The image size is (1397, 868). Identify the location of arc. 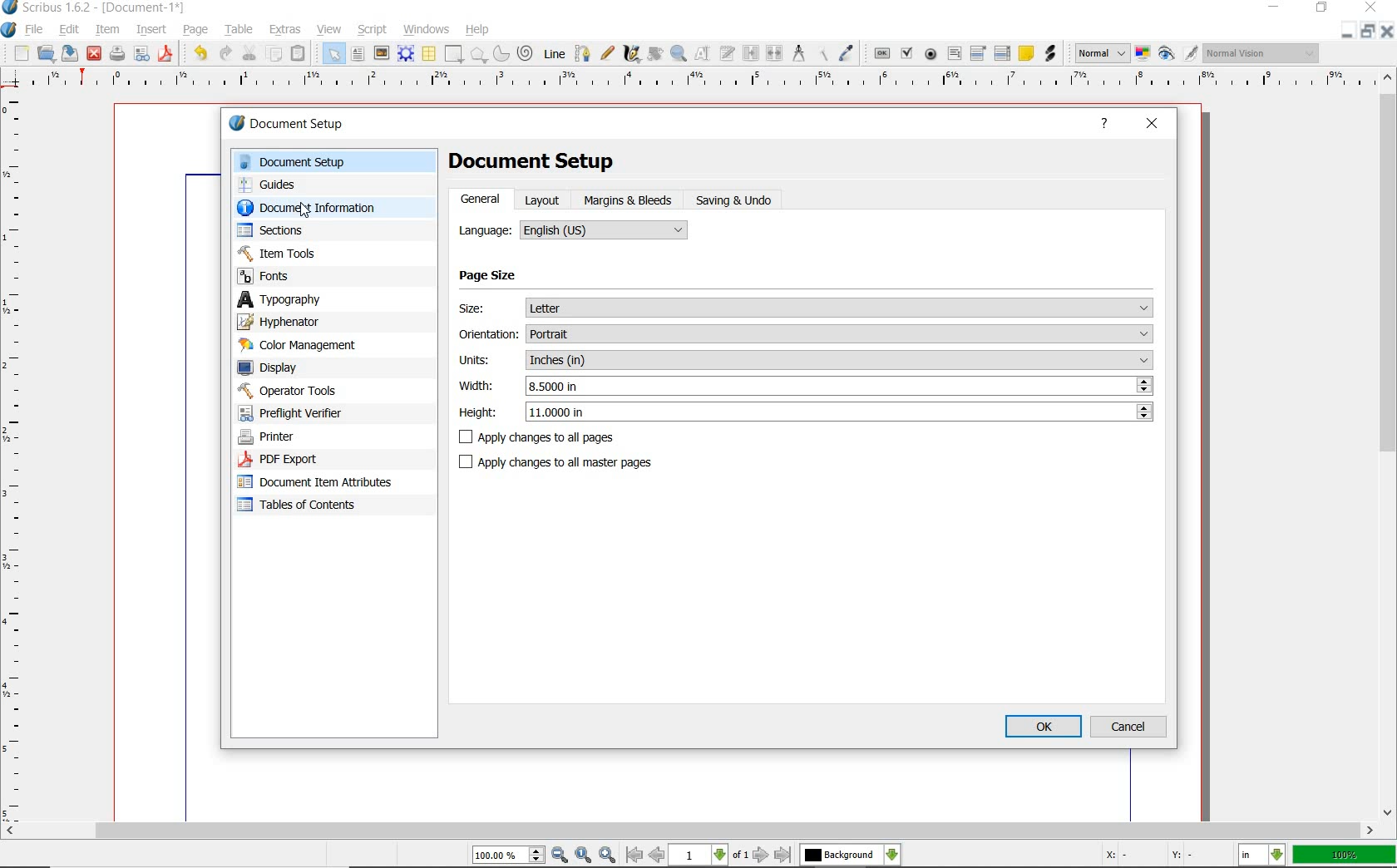
(501, 53).